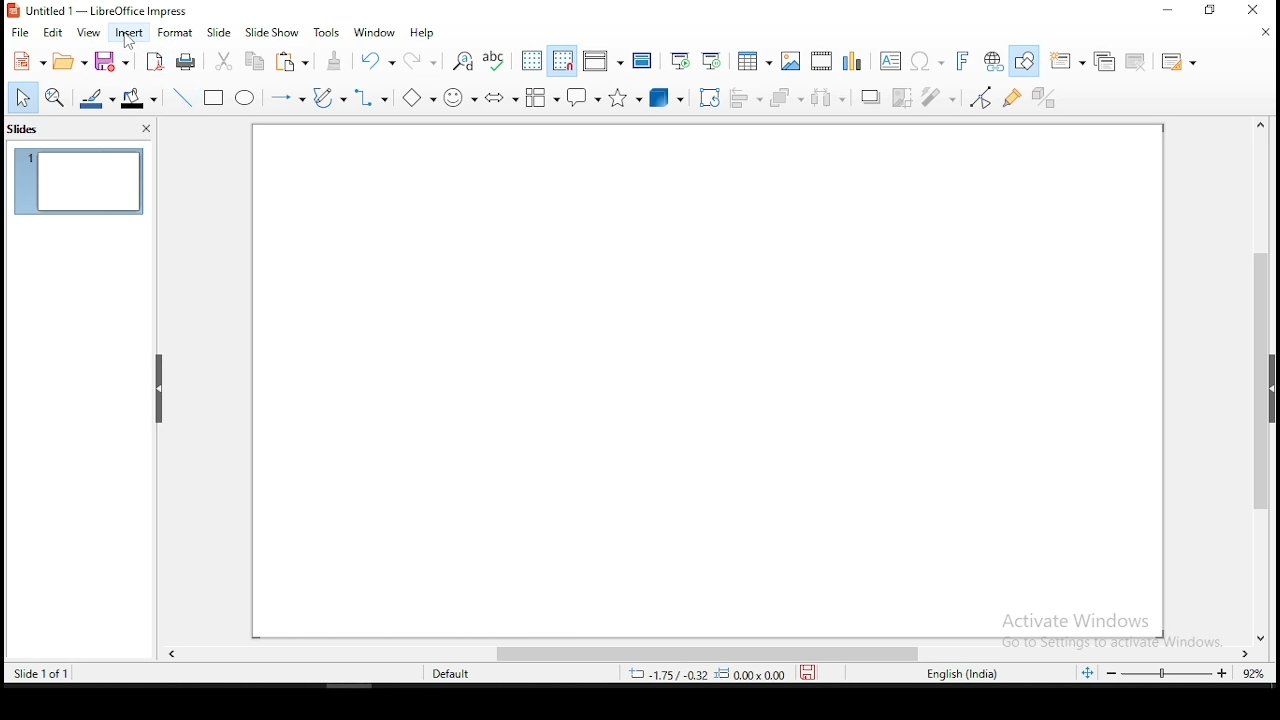 The height and width of the screenshot is (720, 1280). Describe the element at coordinates (374, 97) in the screenshot. I see `connectors` at that location.